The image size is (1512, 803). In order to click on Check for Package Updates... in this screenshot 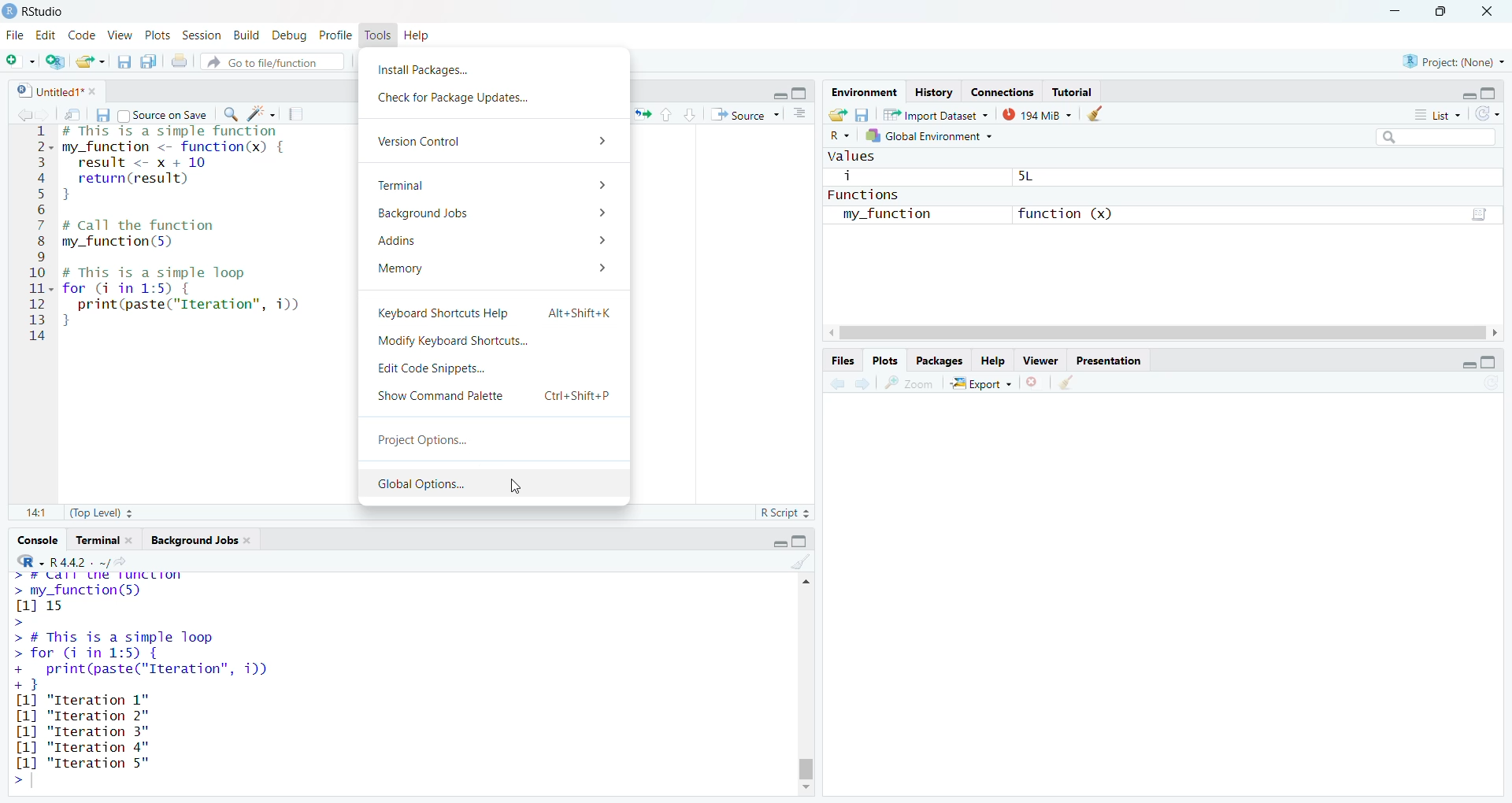, I will do `click(454, 98)`.